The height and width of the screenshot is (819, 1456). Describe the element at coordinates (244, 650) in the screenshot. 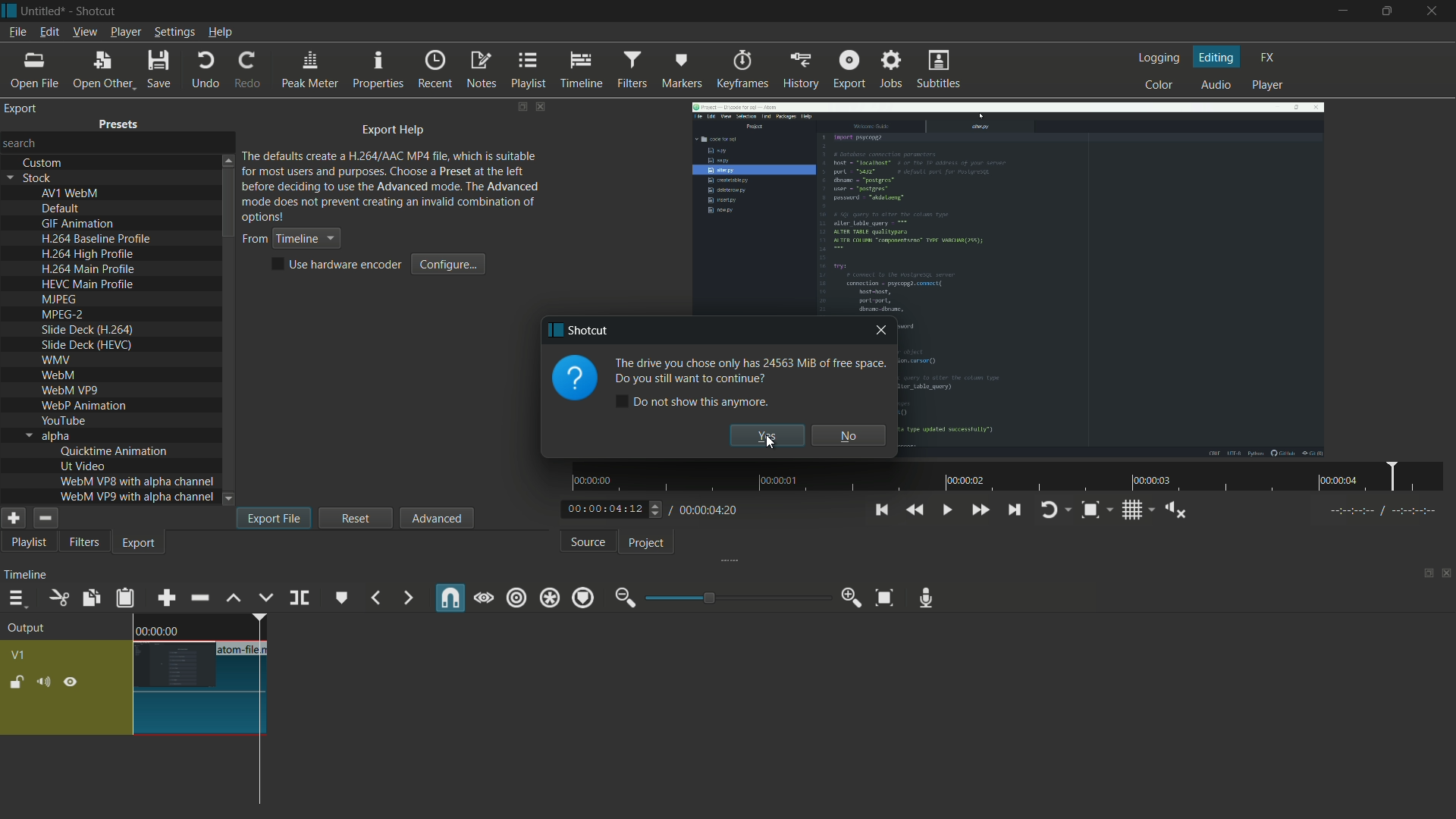

I see `file name` at that location.